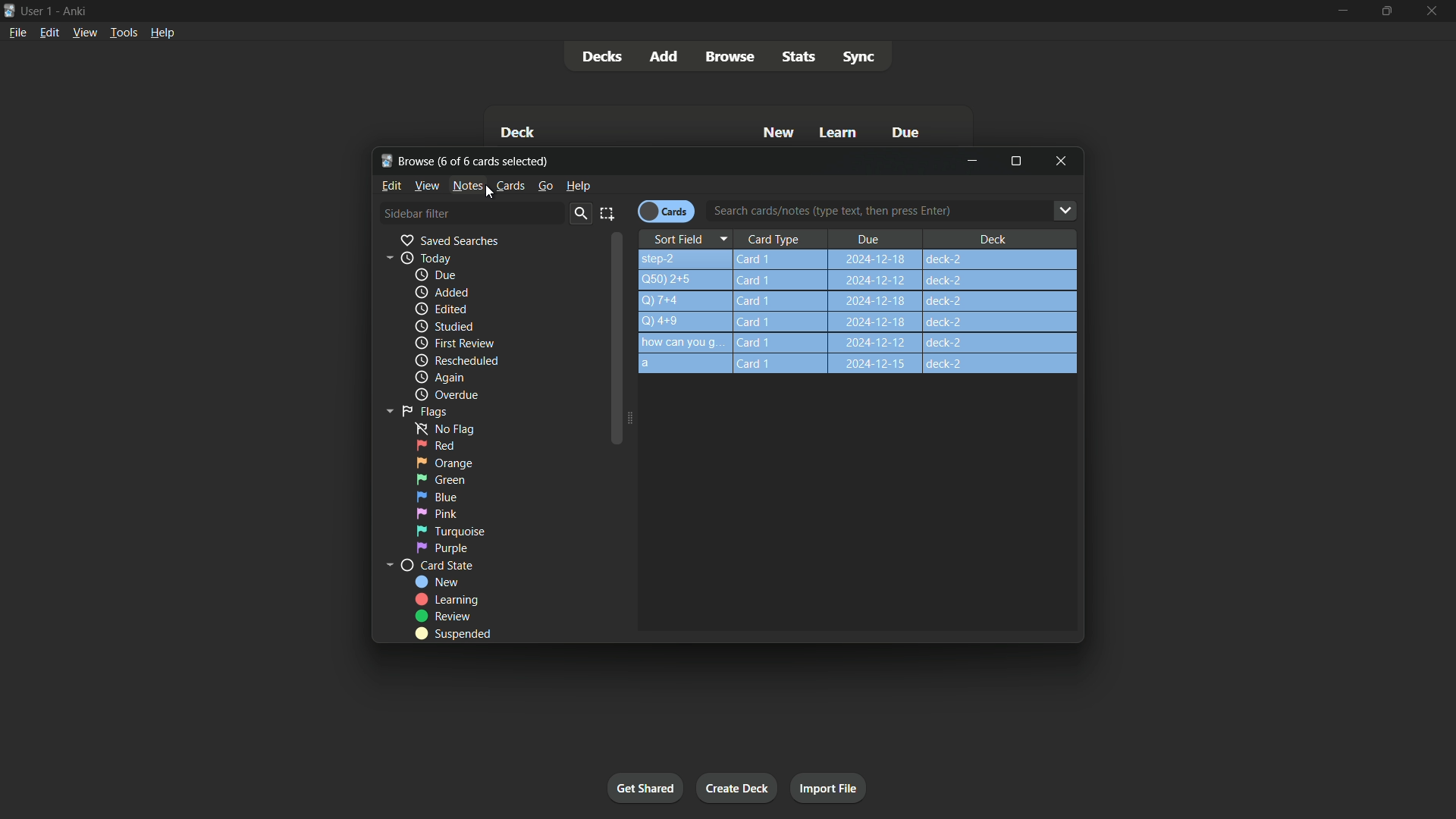 This screenshot has width=1456, height=819. I want to click on orange, so click(445, 462).